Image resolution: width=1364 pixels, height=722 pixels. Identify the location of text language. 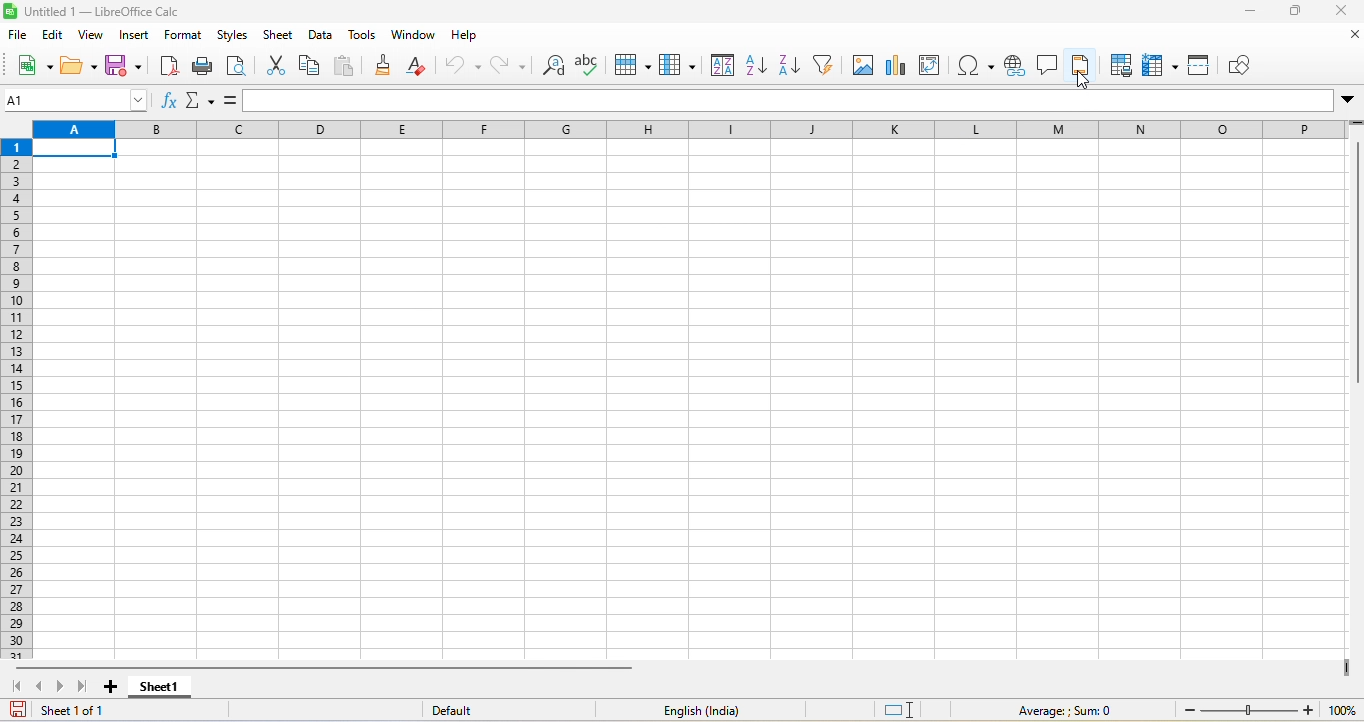
(704, 710).